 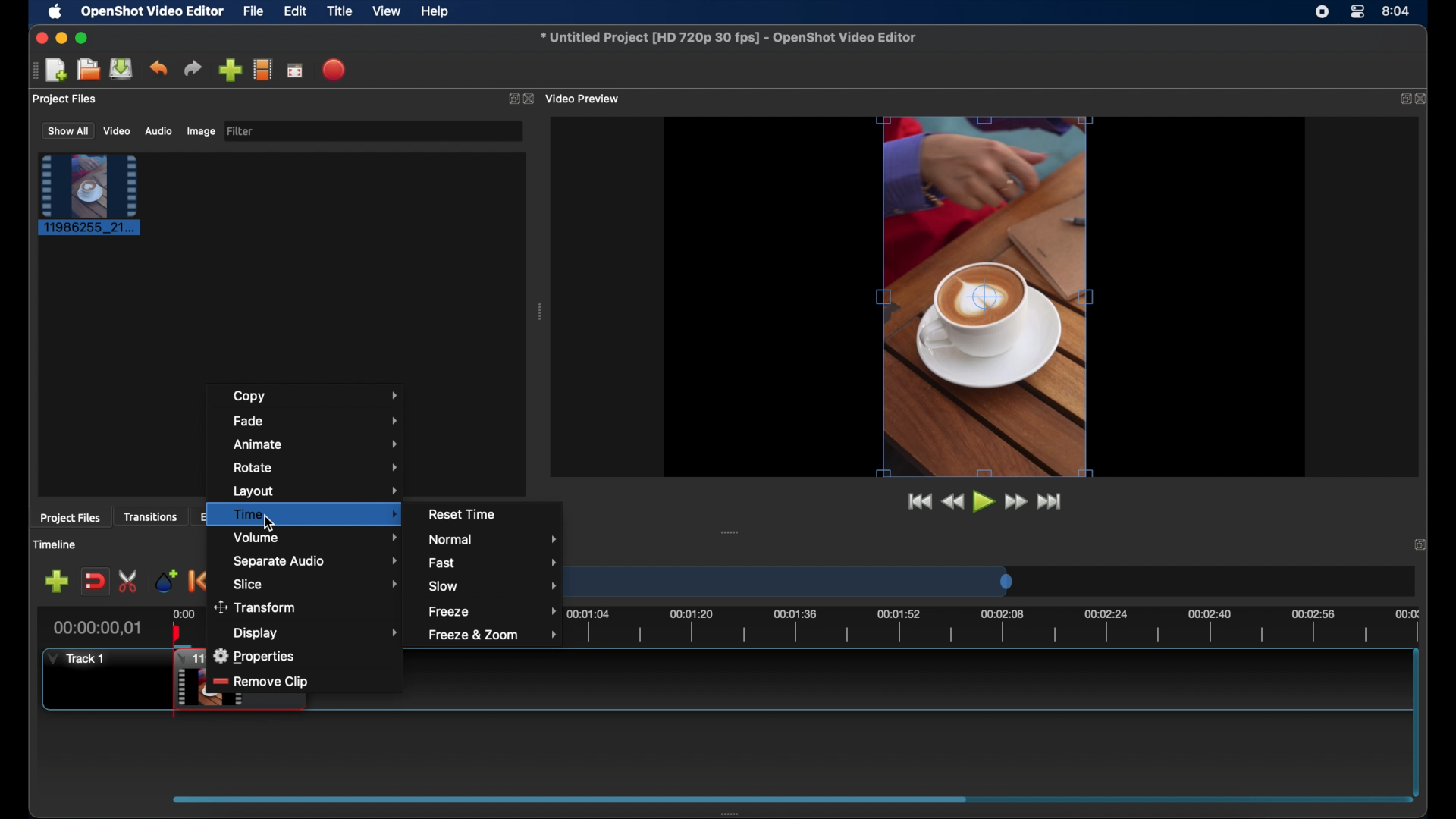 What do you see at coordinates (275, 527) in the screenshot?
I see `cursor` at bounding box center [275, 527].